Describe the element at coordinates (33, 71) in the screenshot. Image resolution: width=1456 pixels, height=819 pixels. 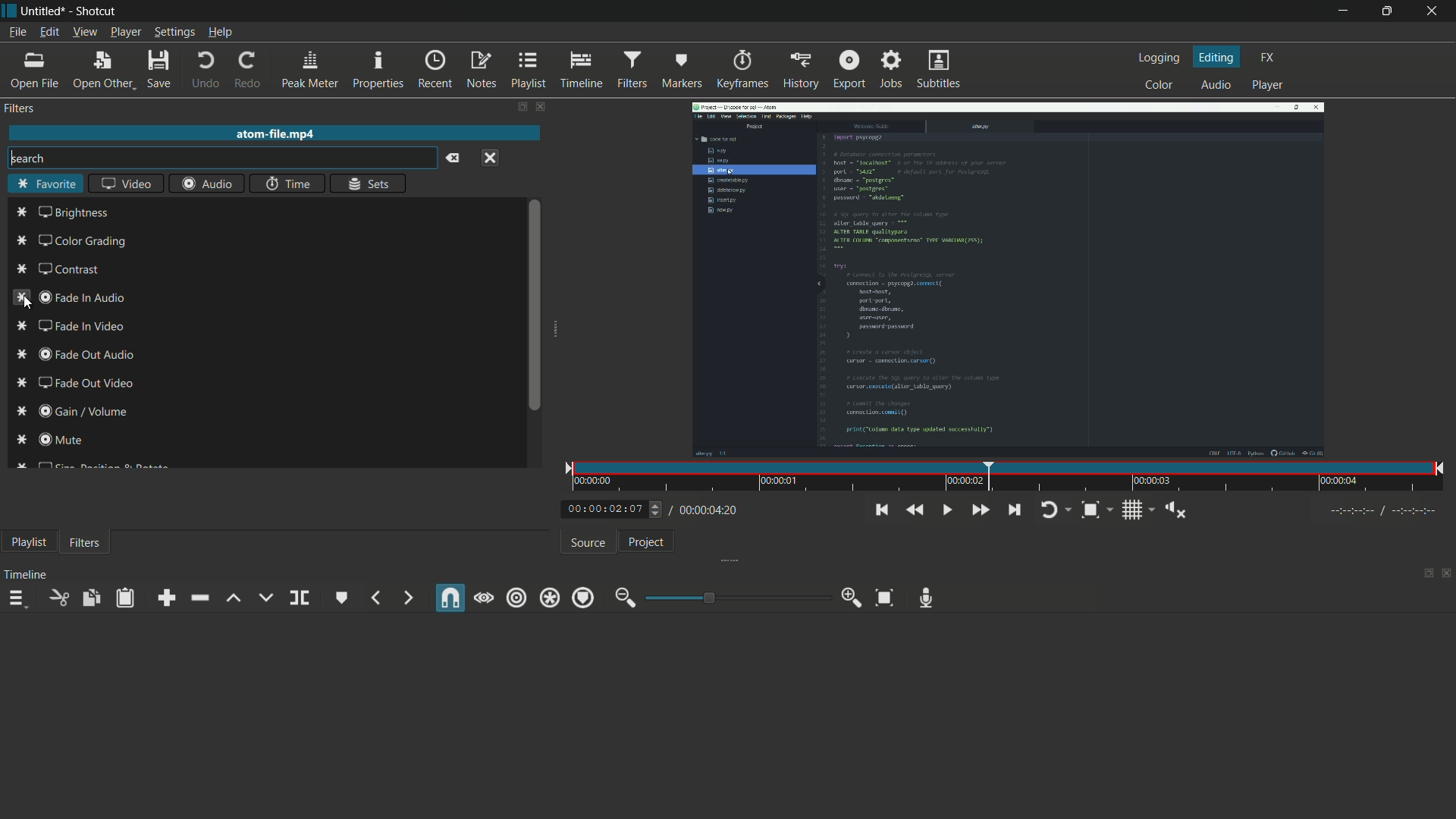
I see `open file` at that location.